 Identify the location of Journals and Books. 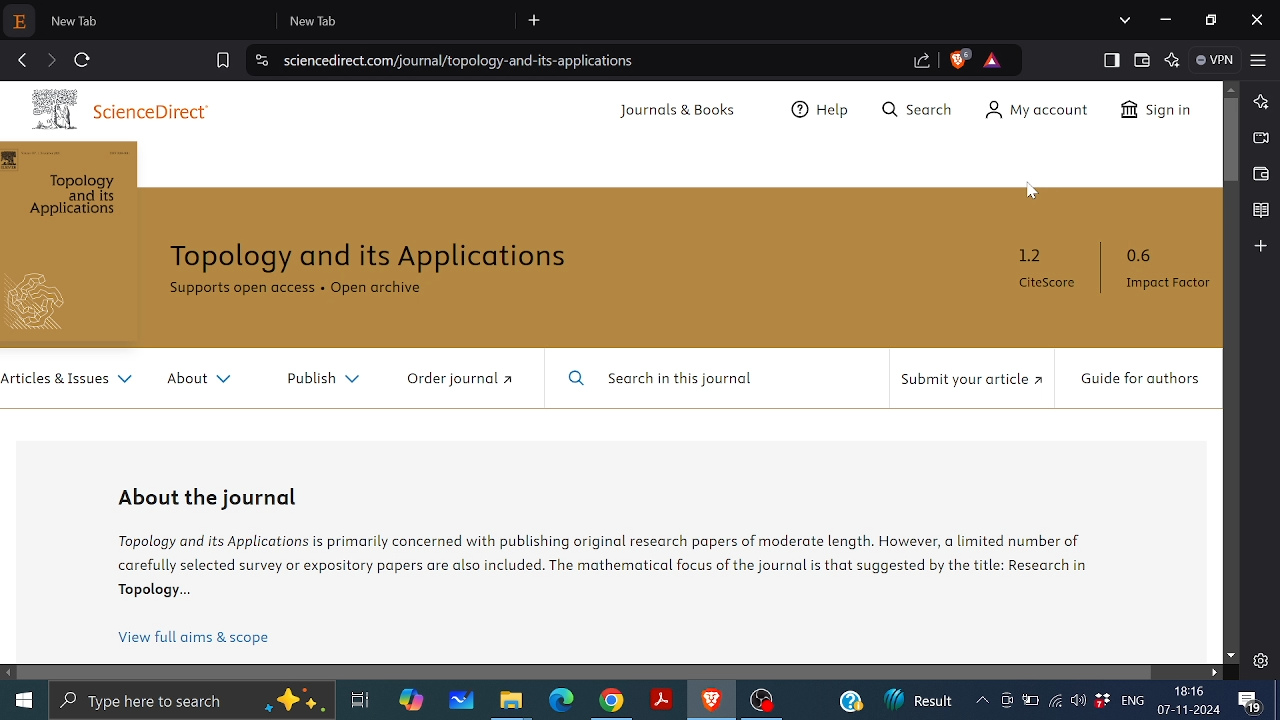
(681, 114).